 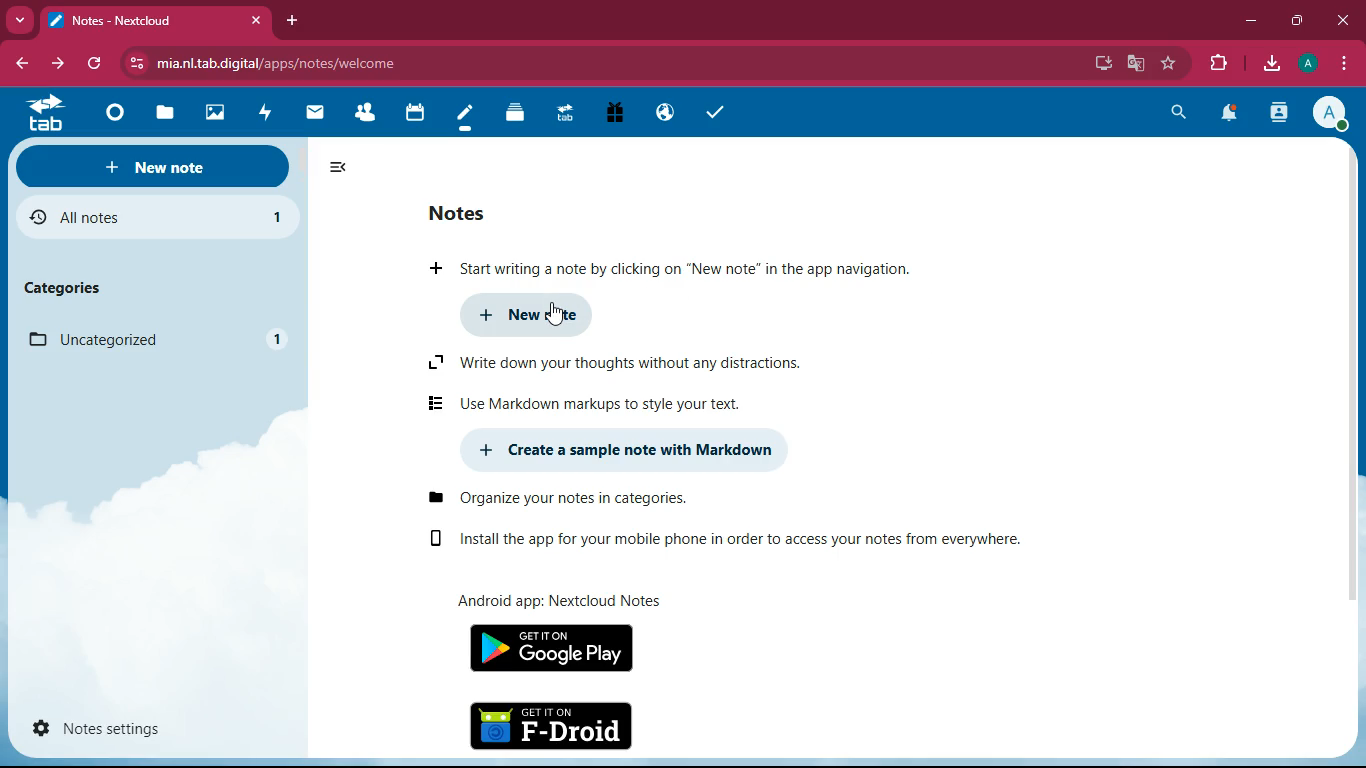 What do you see at coordinates (623, 450) in the screenshot?
I see `create markdown` at bounding box center [623, 450].